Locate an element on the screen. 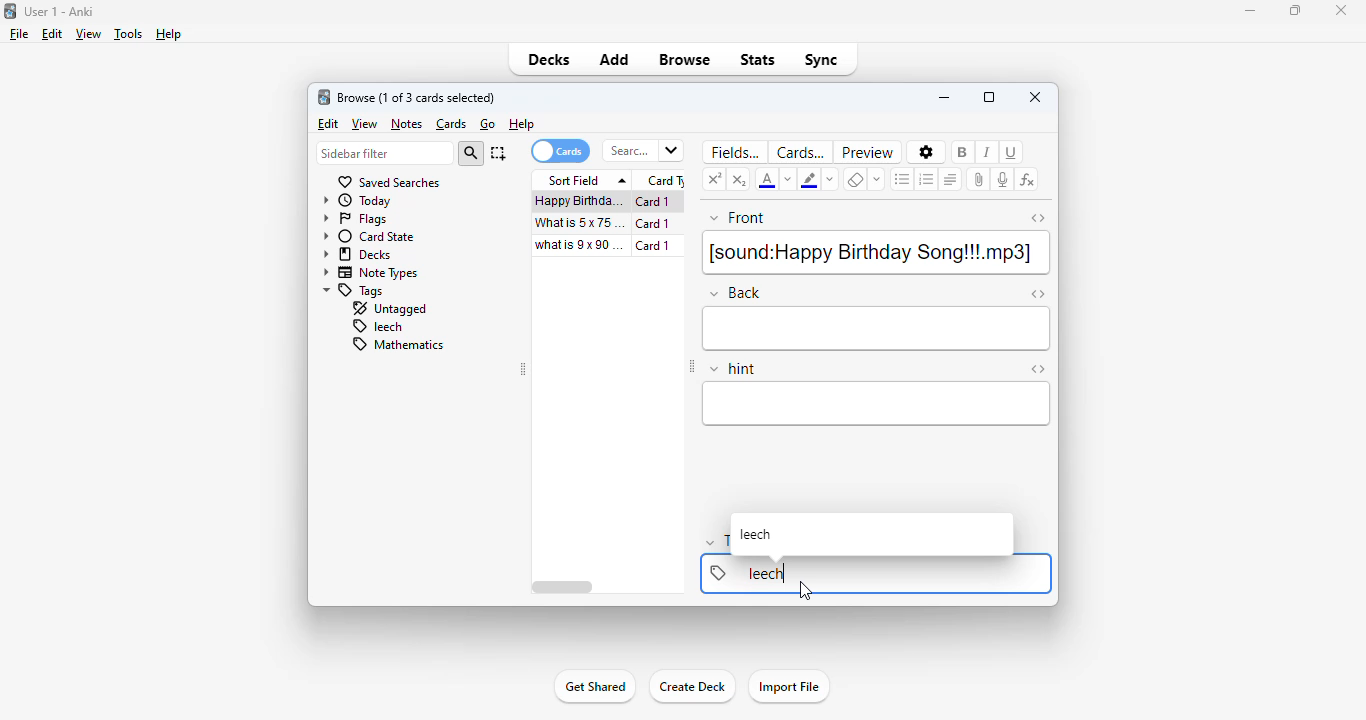 Image resolution: width=1366 pixels, height=720 pixels. horizontal scroll bar is located at coordinates (563, 587).